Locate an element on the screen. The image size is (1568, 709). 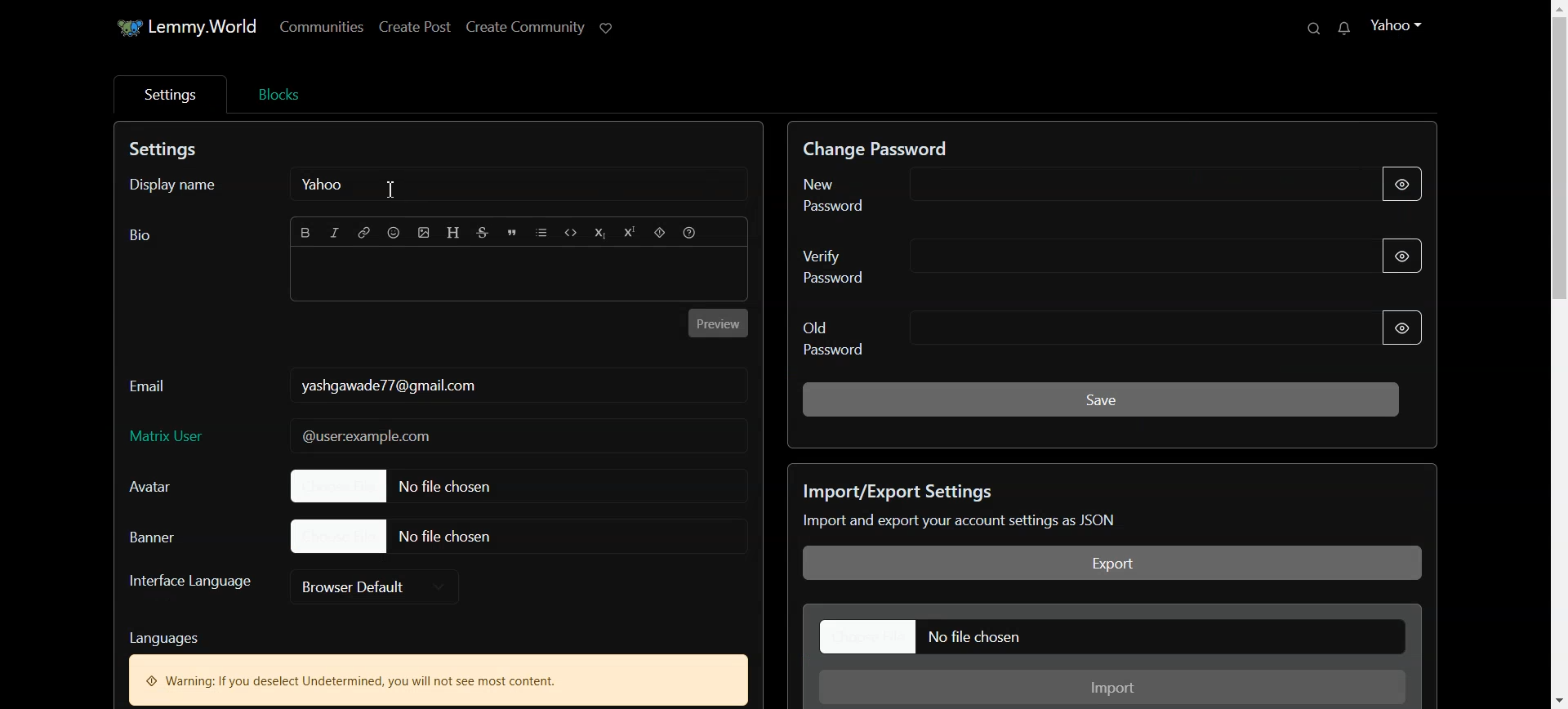
Text is located at coordinates (140, 235).